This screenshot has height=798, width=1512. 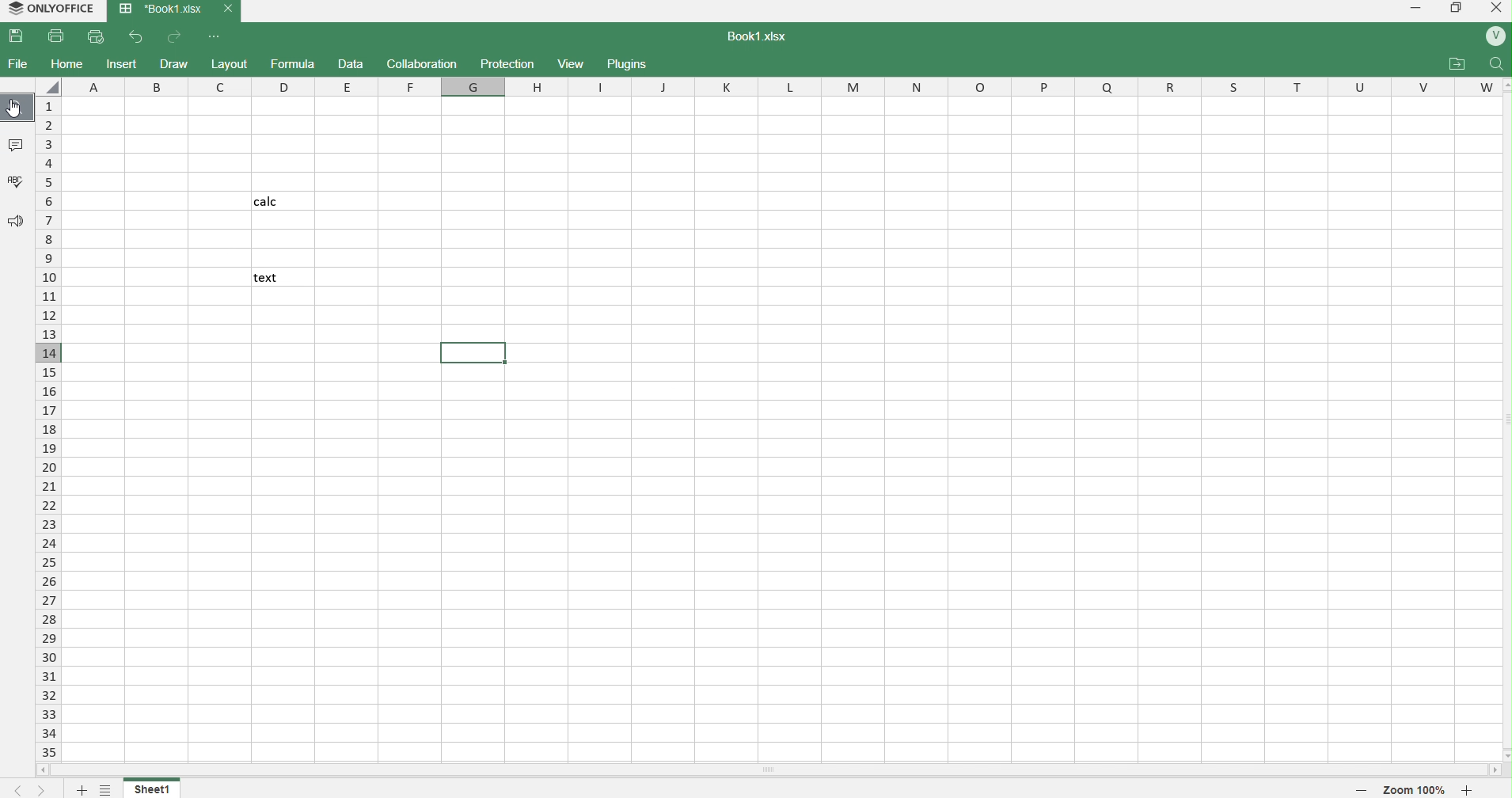 I want to click on text, so click(x=283, y=278).